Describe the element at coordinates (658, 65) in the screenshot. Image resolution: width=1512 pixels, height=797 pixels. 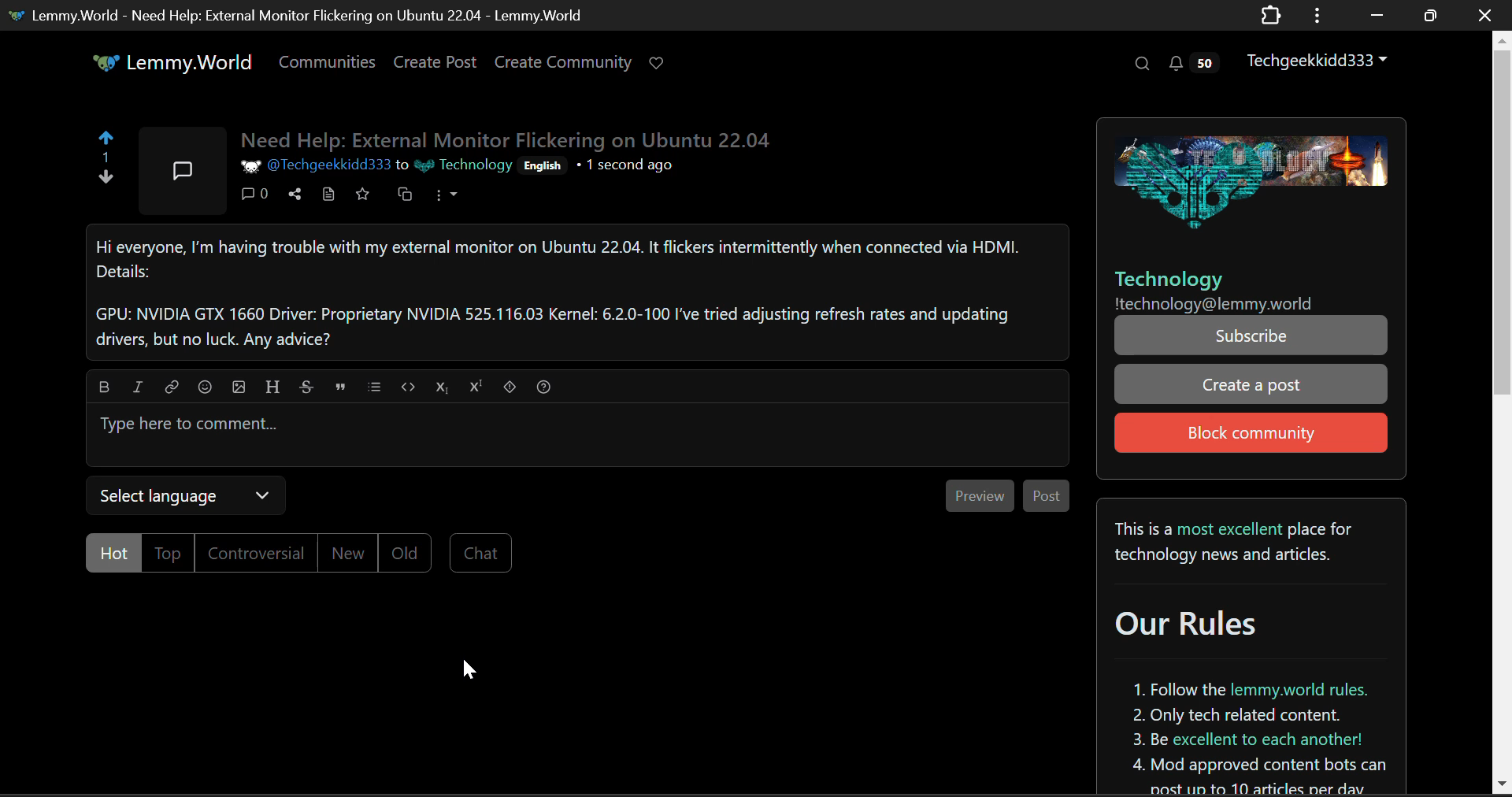
I see `Donate to Lemmy` at that location.